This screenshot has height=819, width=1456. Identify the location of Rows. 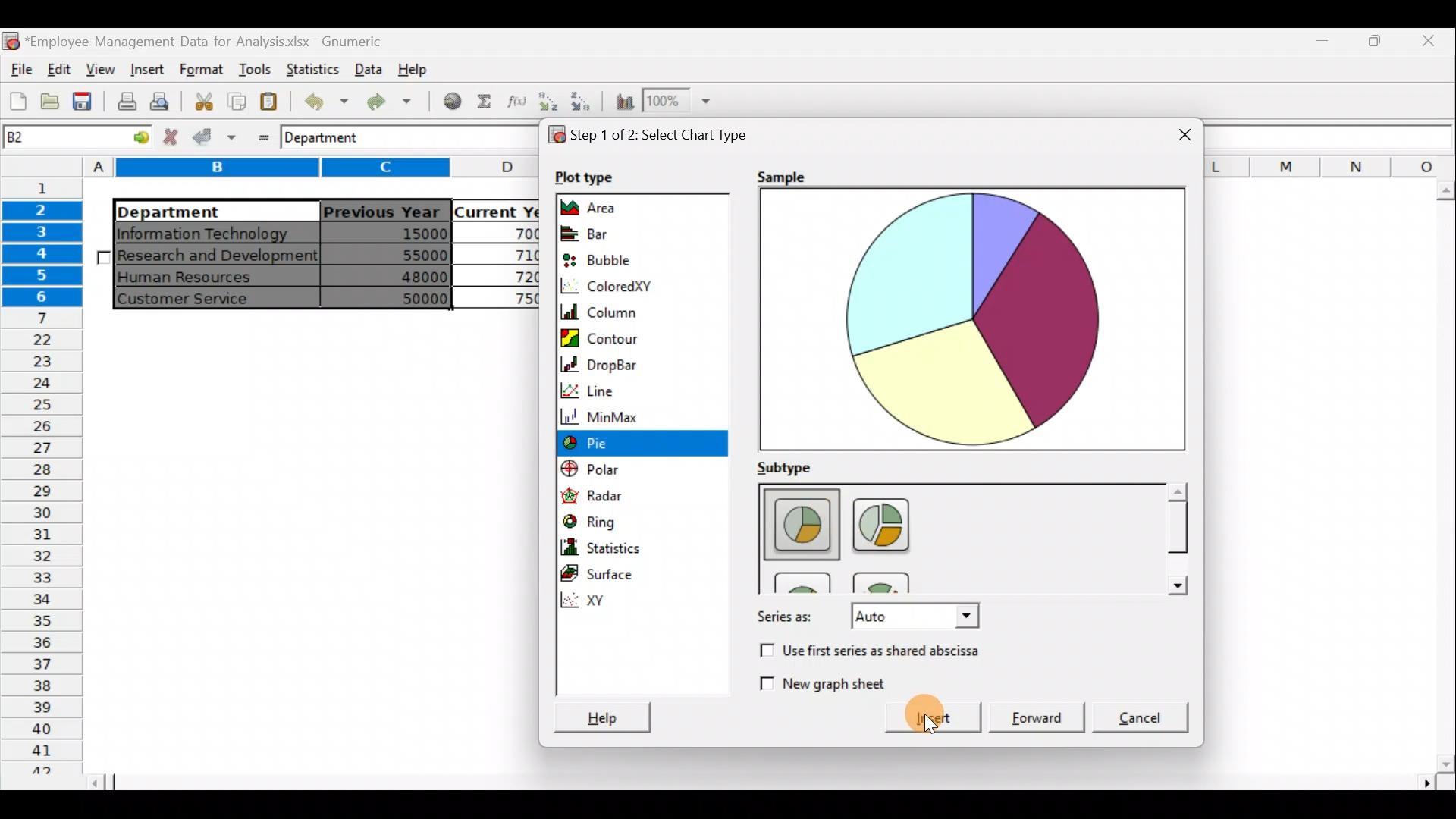
(45, 475).